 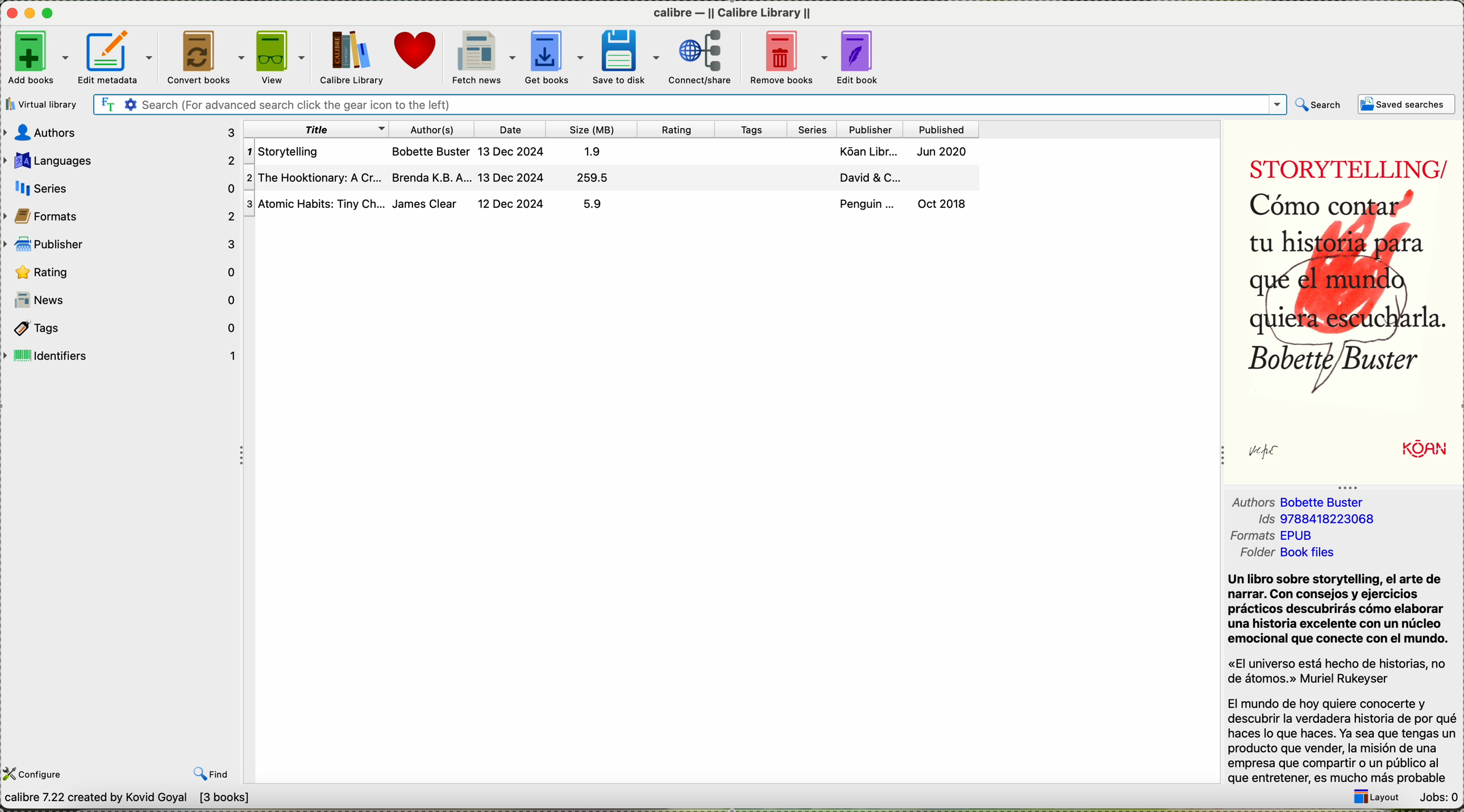 What do you see at coordinates (119, 131) in the screenshot?
I see `authors` at bounding box center [119, 131].